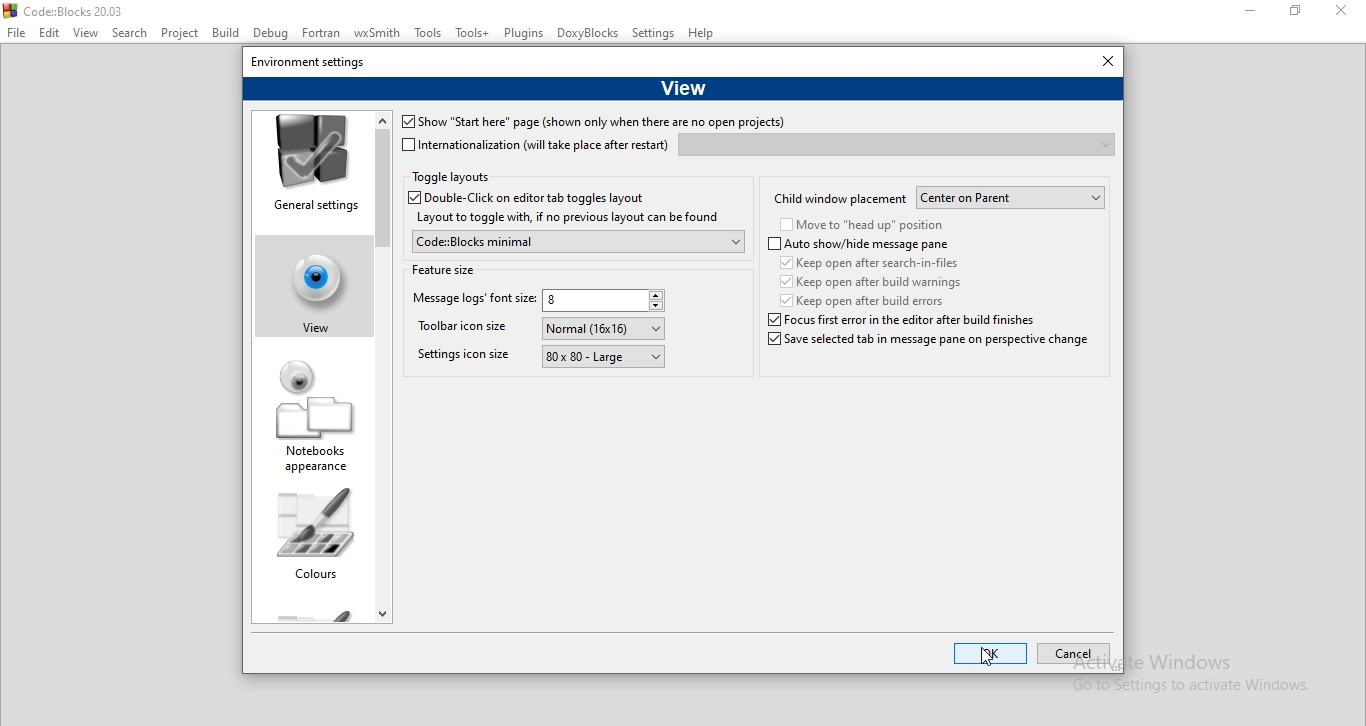 This screenshot has width=1366, height=726. What do you see at coordinates (322, 33) in the screenshot?
I see `Fortran` at bounding box center [322, 33].